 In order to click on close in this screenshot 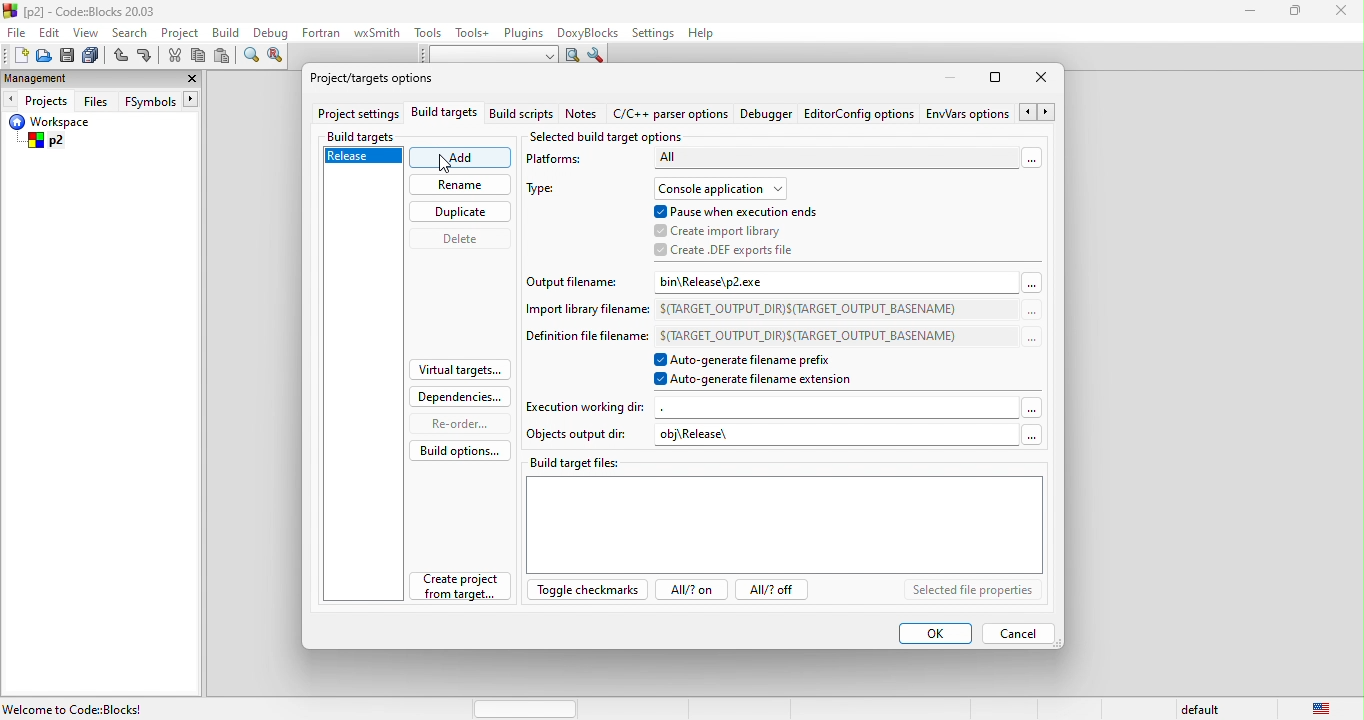, I will do `click(1345, 14)`.